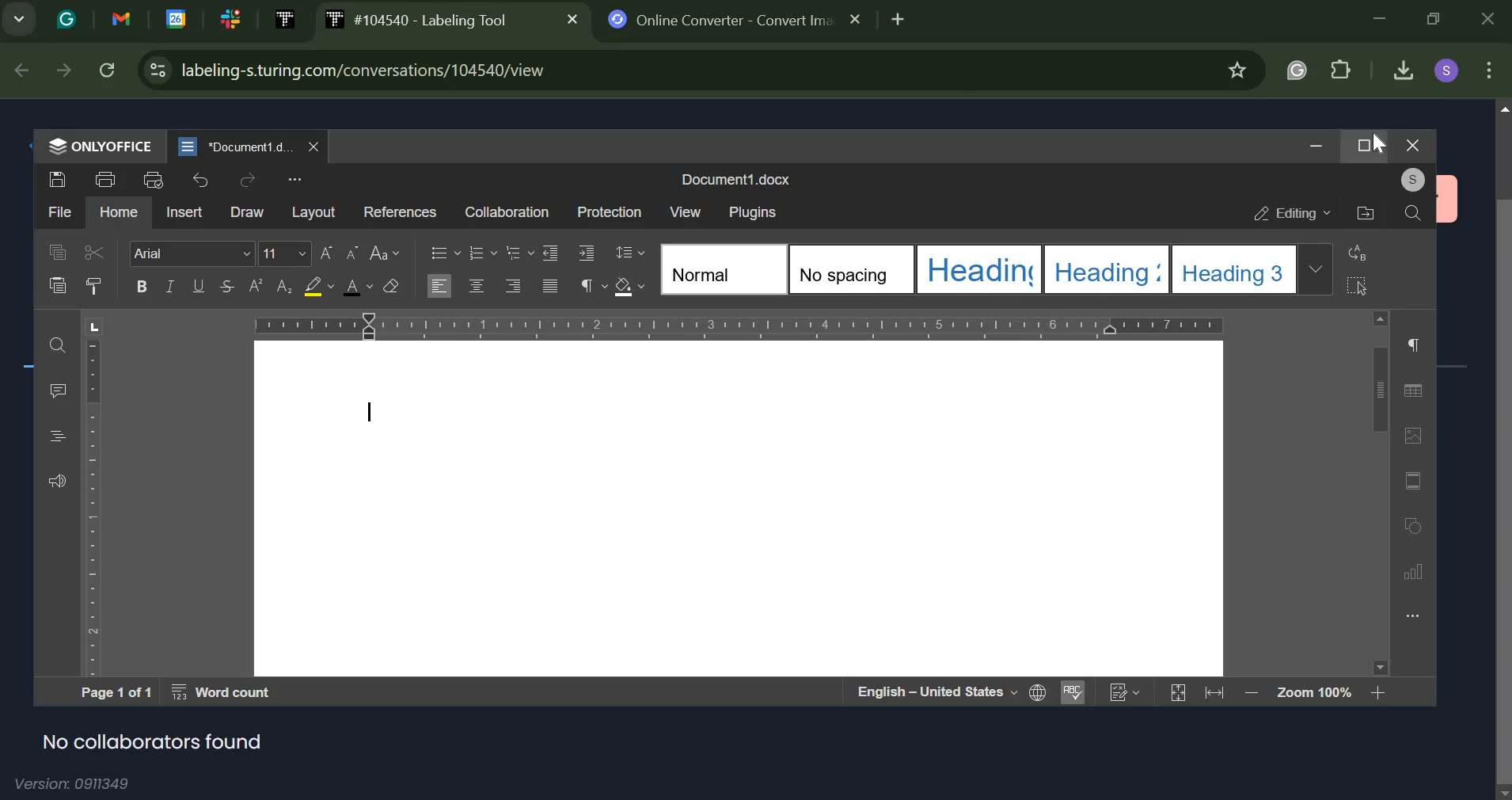 The width and height of the screenshot is (1512, 800). What do you see at coordinates (169, 286) in the screenshot?
I see `italics` at bounding box center [169, 286].